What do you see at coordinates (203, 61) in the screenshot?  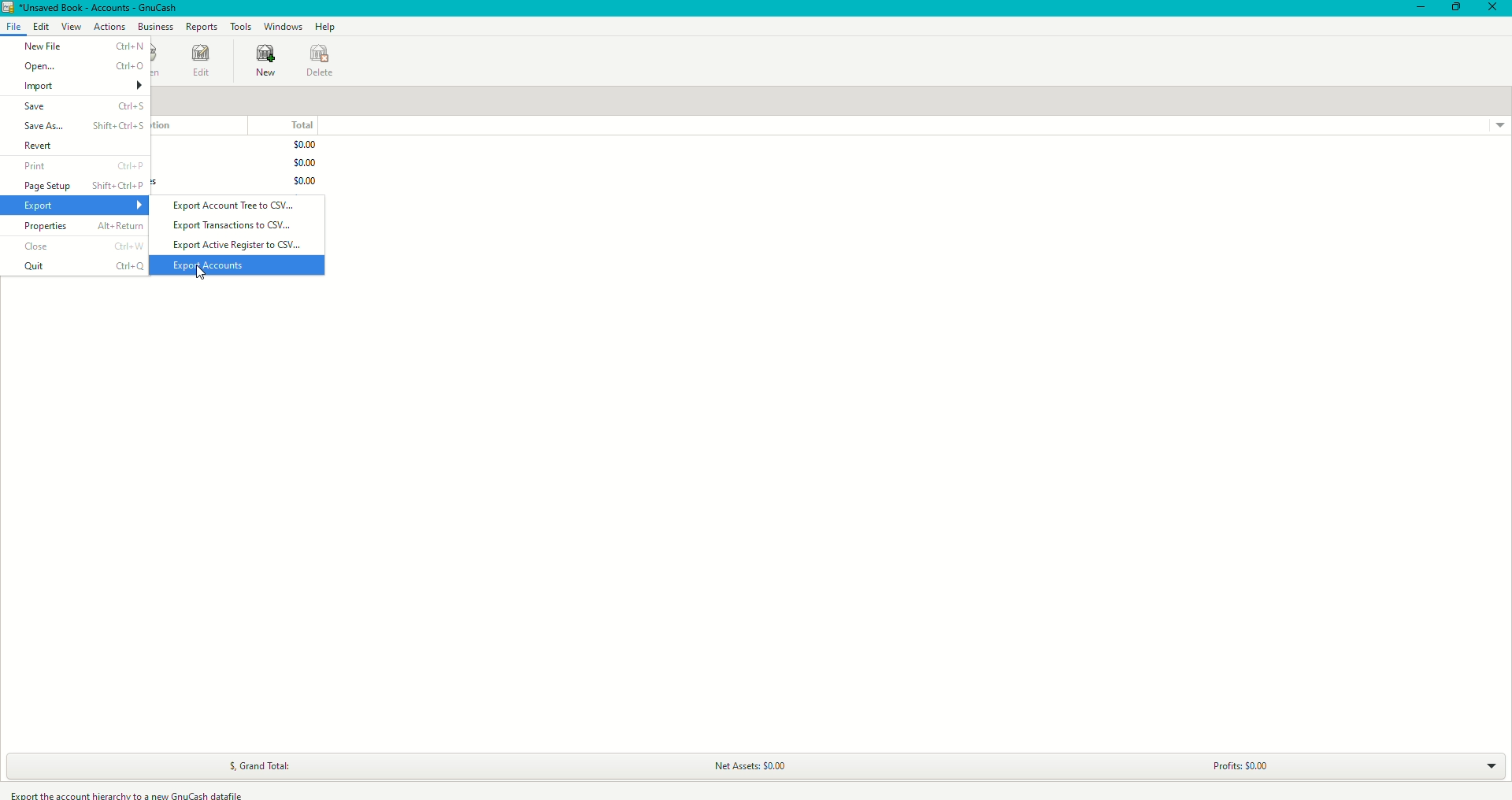 I see `Edit` at bounding box center [203, 61].